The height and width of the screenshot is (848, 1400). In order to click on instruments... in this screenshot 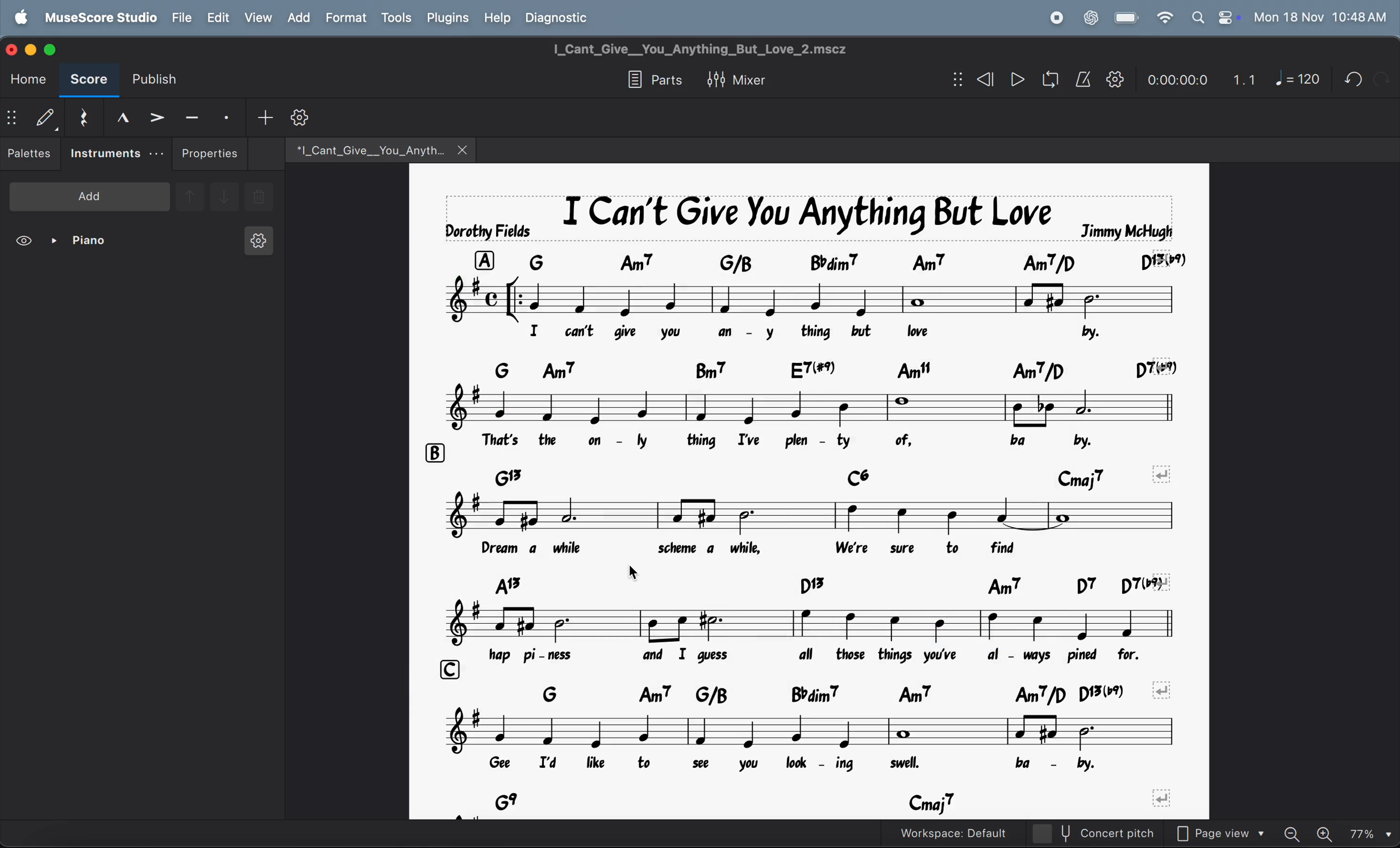, I will do `click(116, 154)`.